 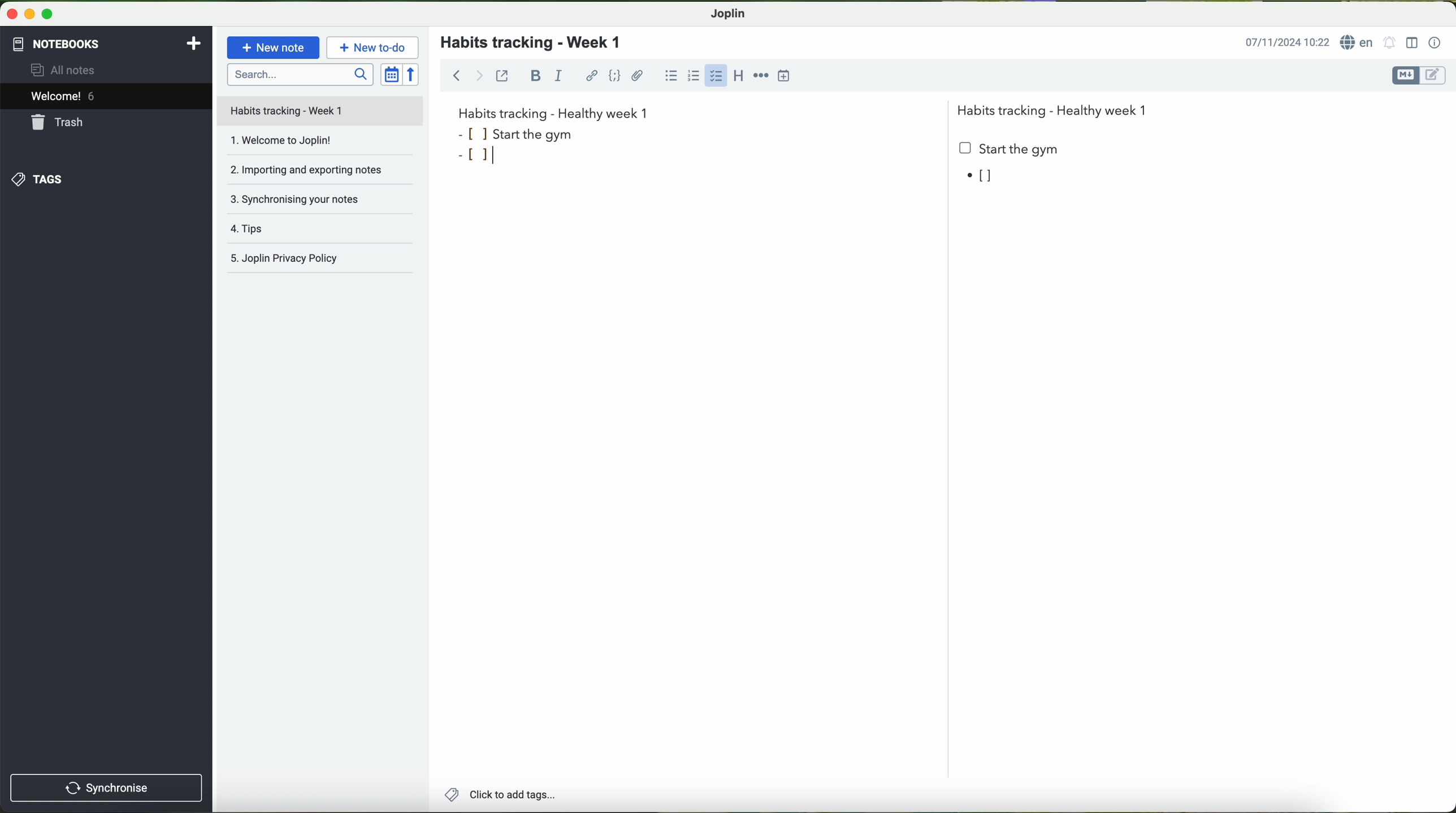 What do you see at coordinates (108, 44) in the screenshot?
I see `notebooks tab` at bounding box center [108, 44].